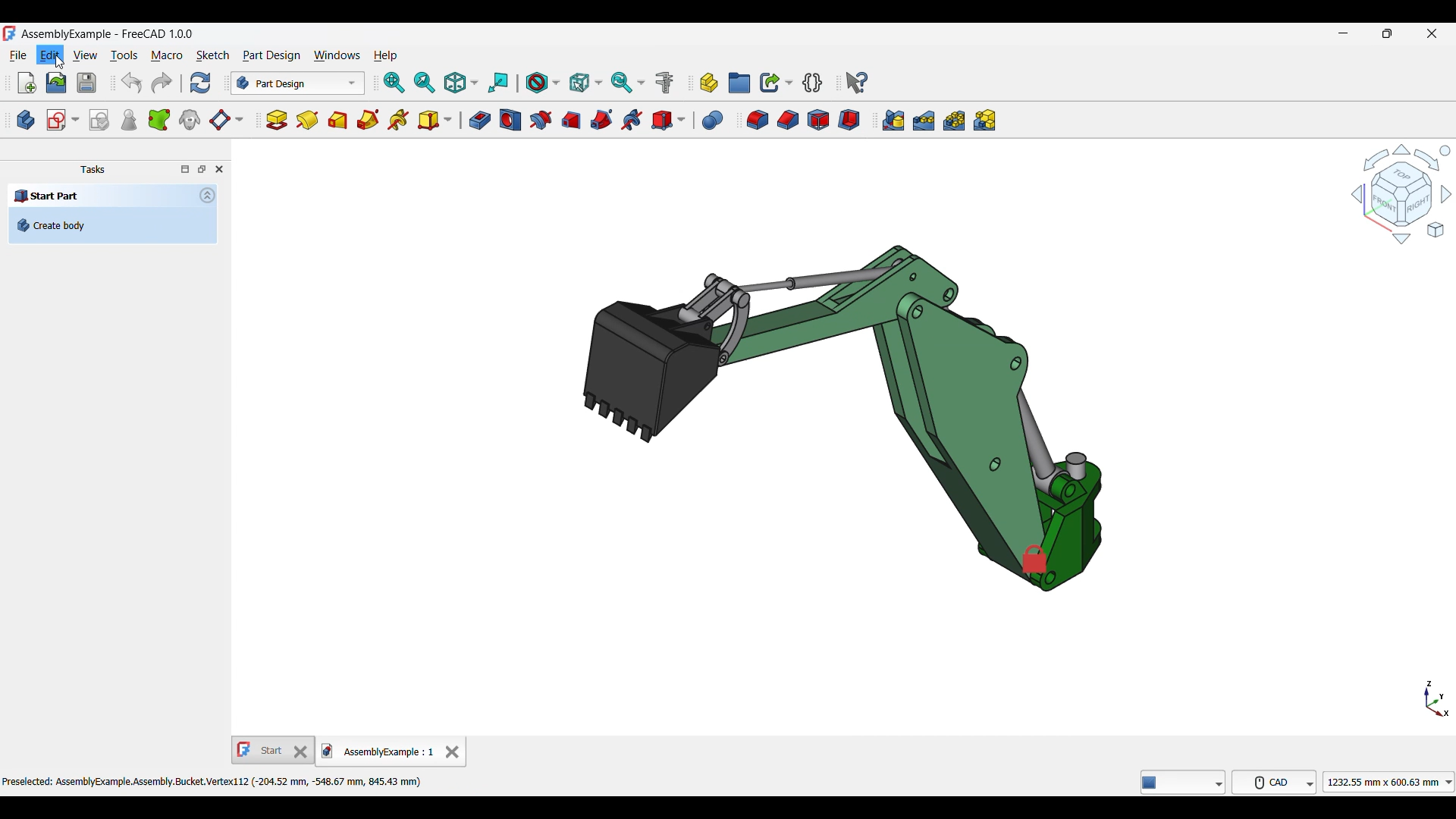 This screenshot has height=819, width=1456. Describe the element at coordinates (776, 83) in the screenshot. I see `Make link options` at that location.